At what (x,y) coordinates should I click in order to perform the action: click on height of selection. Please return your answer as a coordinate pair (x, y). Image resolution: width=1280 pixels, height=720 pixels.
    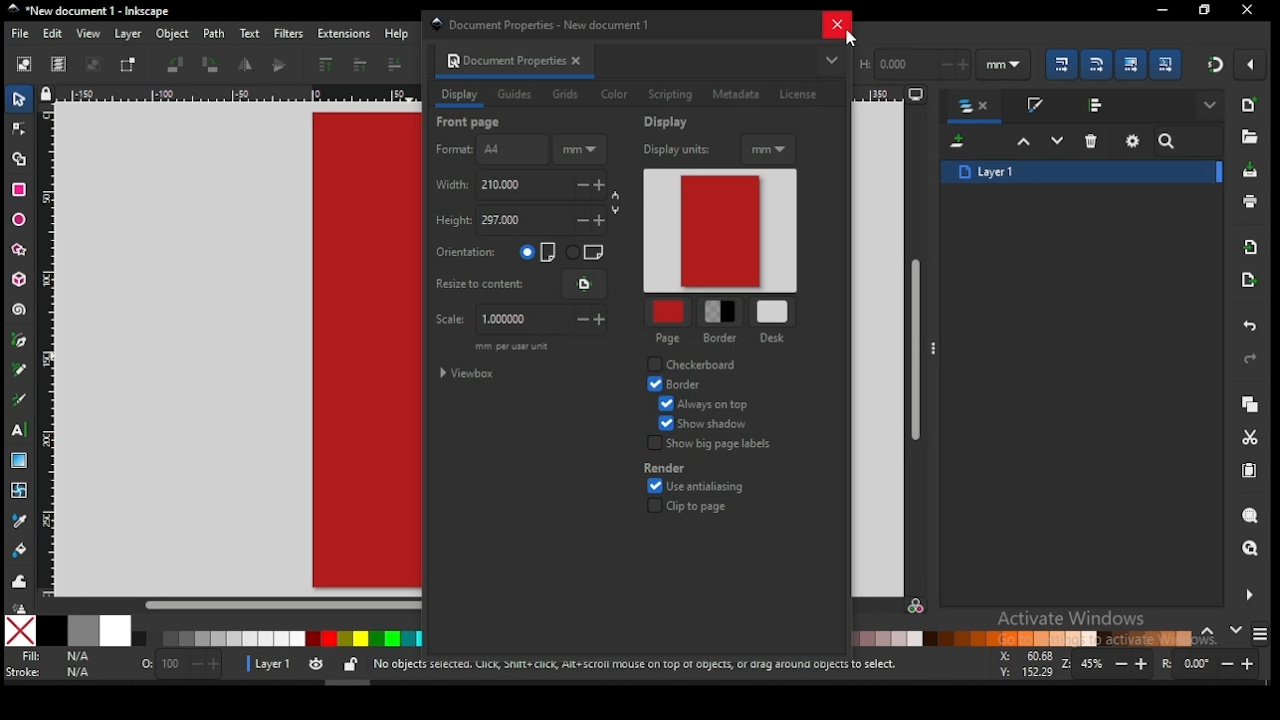
    Looking at the image, I should click on (913, 62).